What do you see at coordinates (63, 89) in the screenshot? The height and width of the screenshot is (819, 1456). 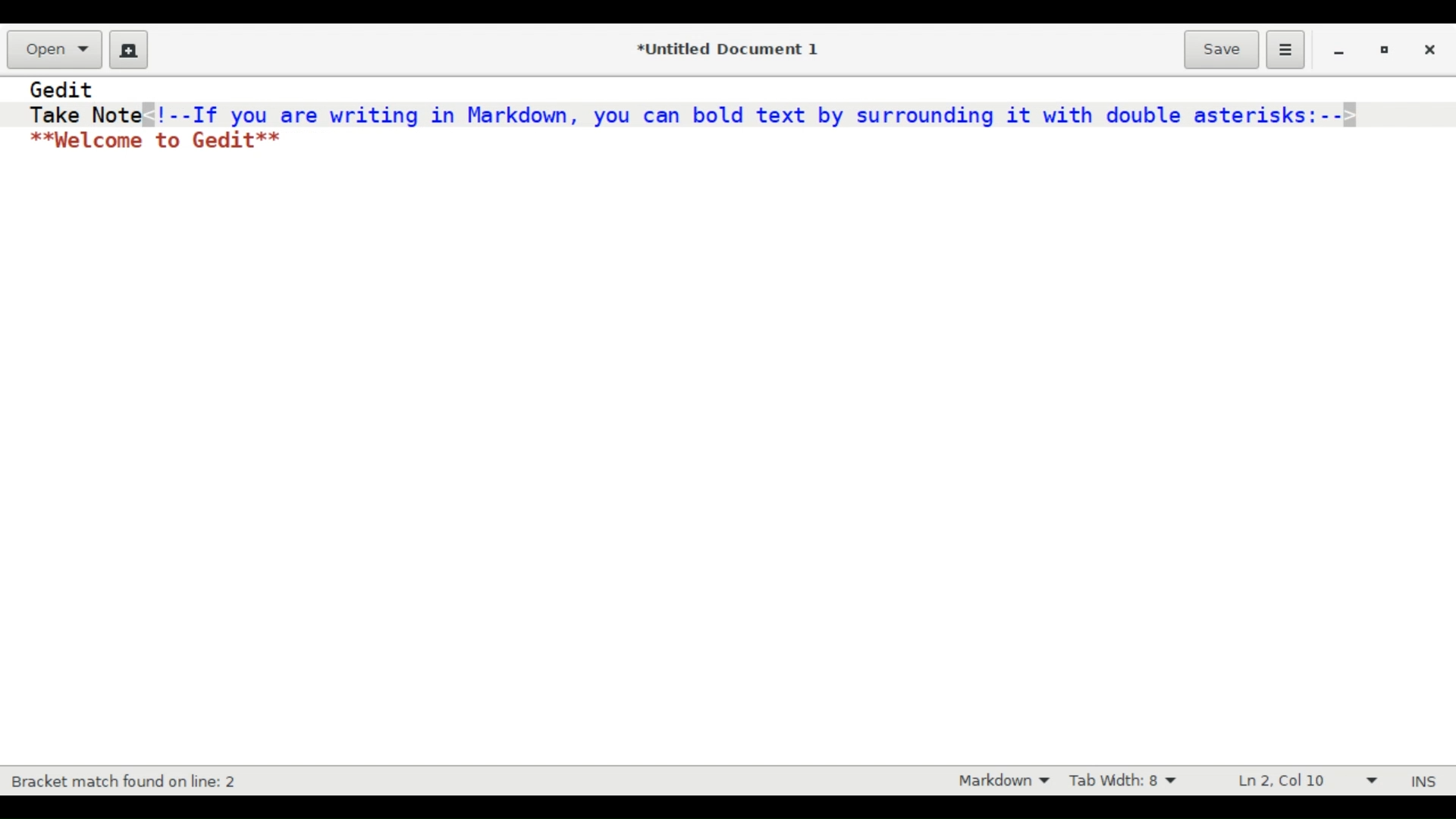 I see `Gedit` at bounding box center [63, 89].